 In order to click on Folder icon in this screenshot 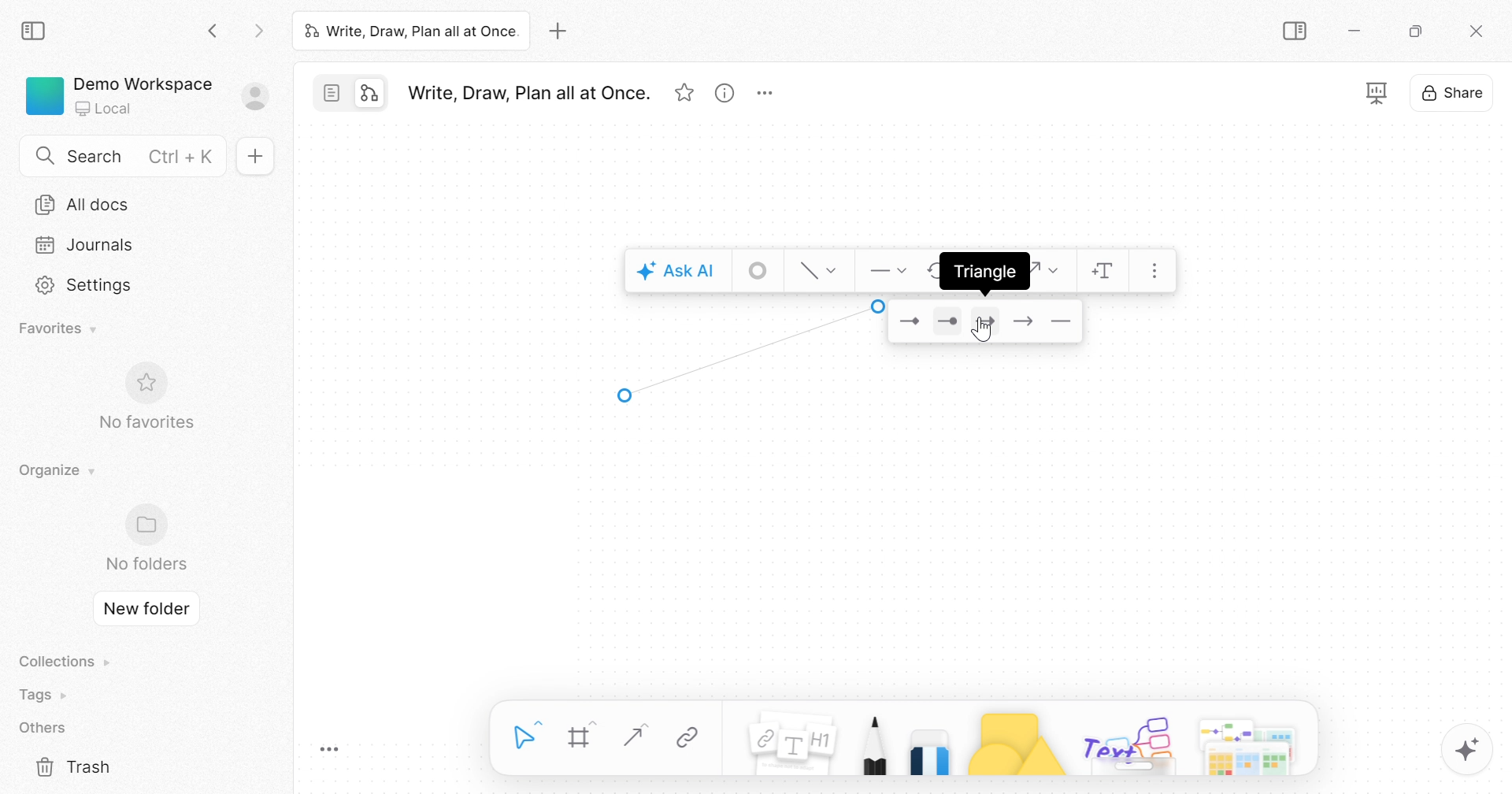, I will do `click(151, 523)`.